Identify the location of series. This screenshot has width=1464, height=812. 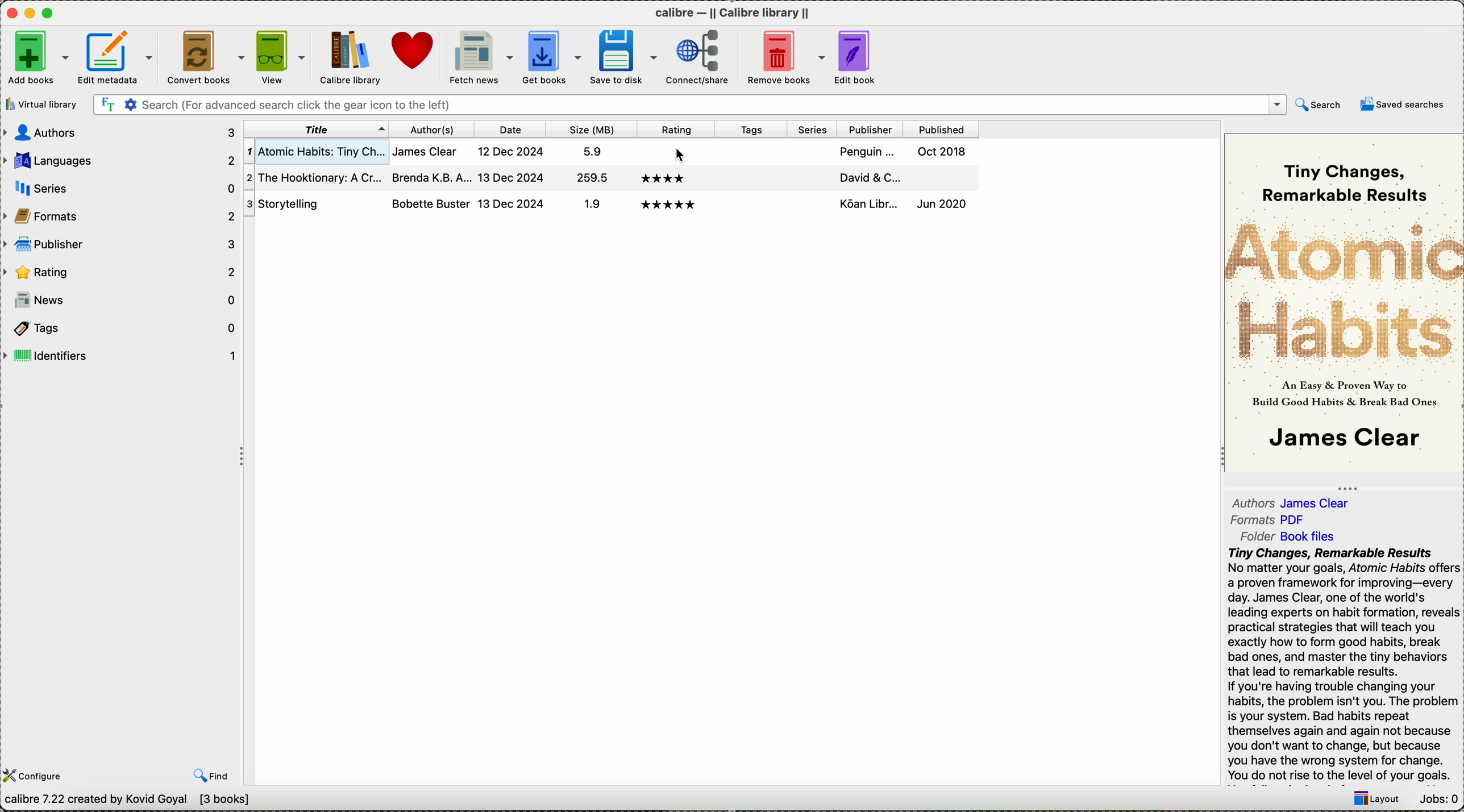
(813, 130).